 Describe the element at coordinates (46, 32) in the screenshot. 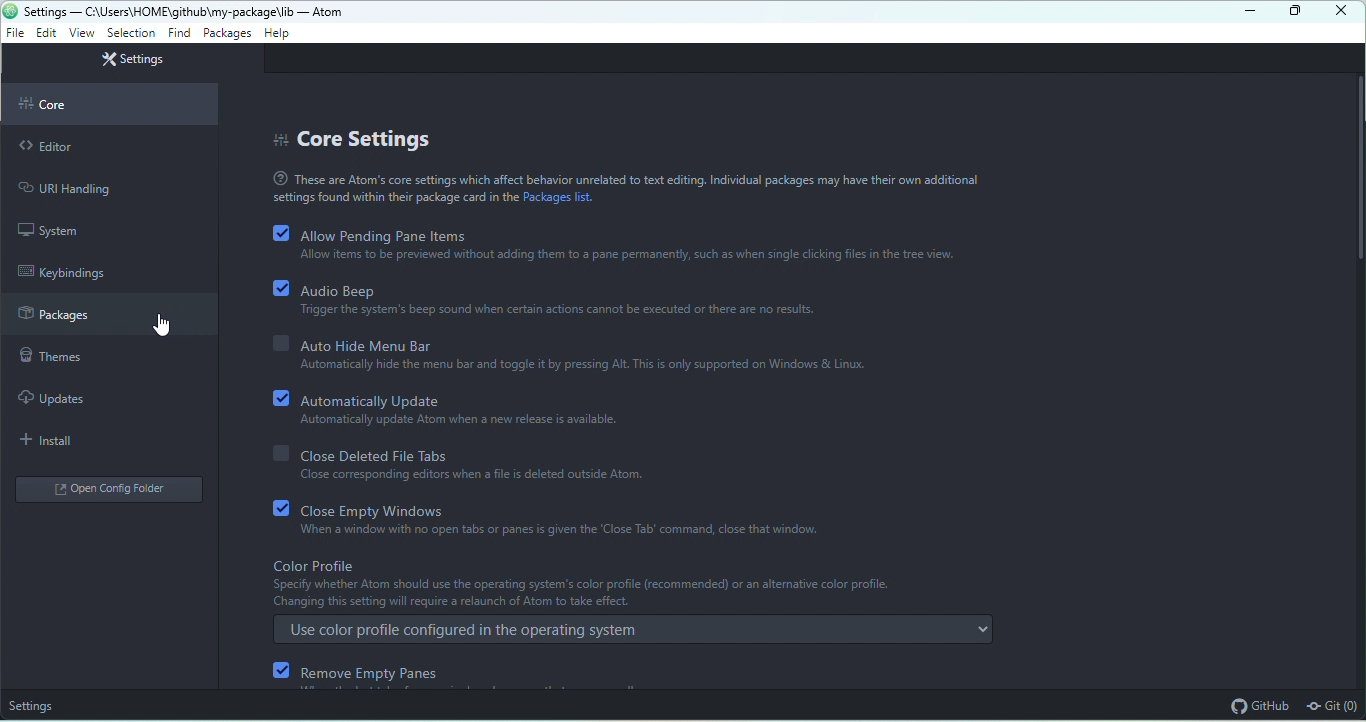

I see `edit` at that location.